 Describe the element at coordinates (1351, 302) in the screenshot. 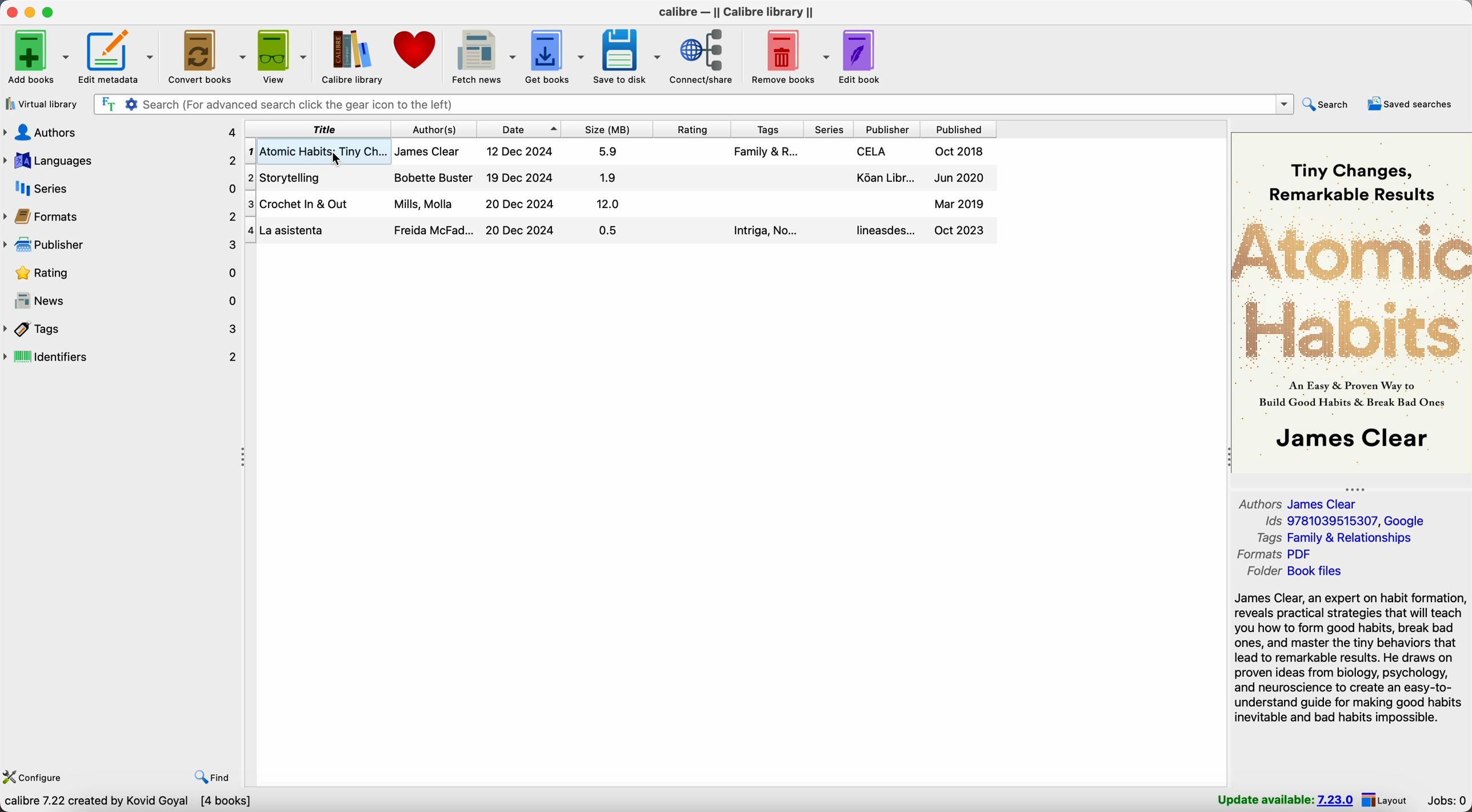

I see `book cover preview` at that location.